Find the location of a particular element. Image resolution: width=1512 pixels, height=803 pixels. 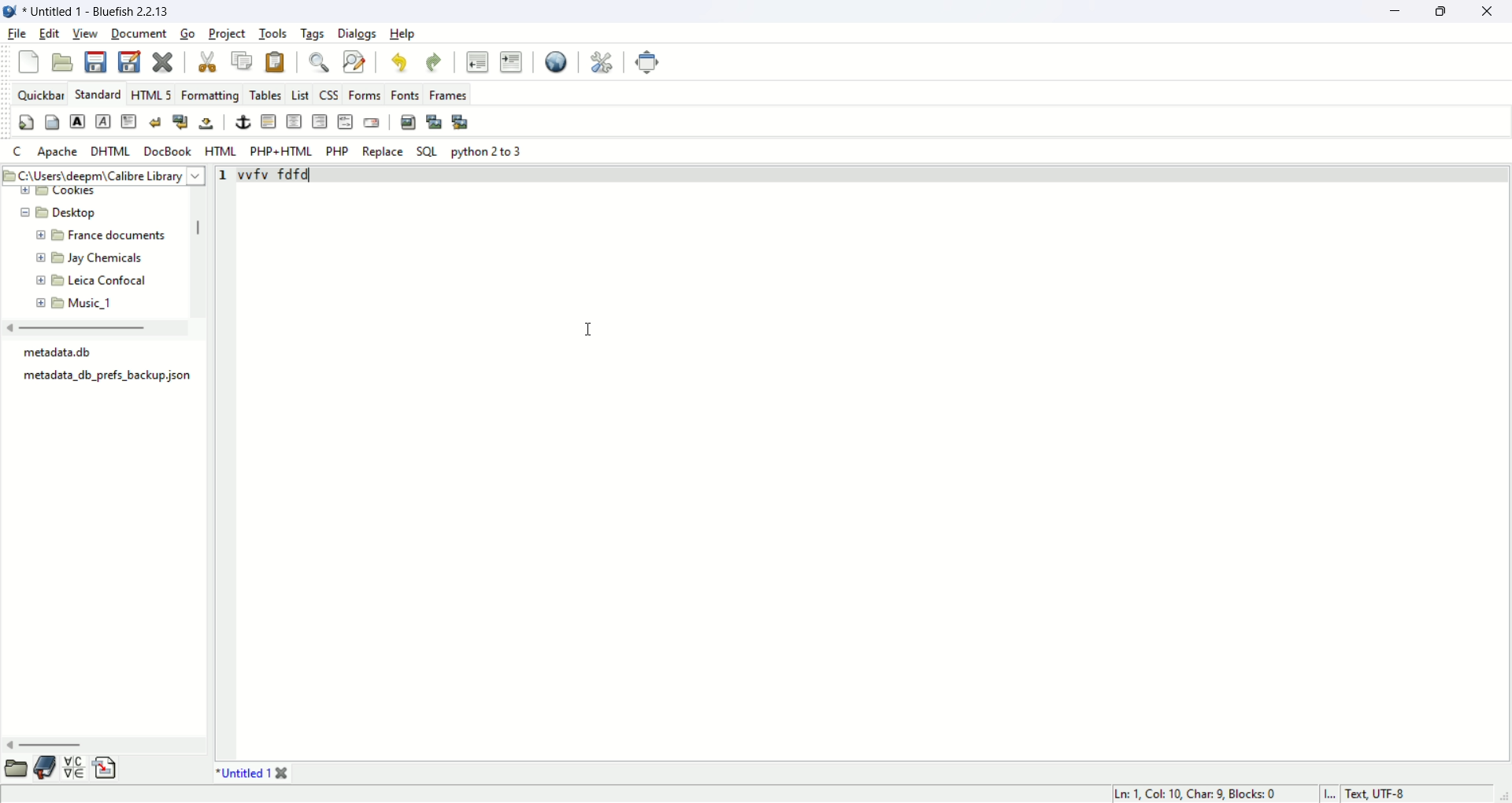

view is located at coordinates (83, 33).